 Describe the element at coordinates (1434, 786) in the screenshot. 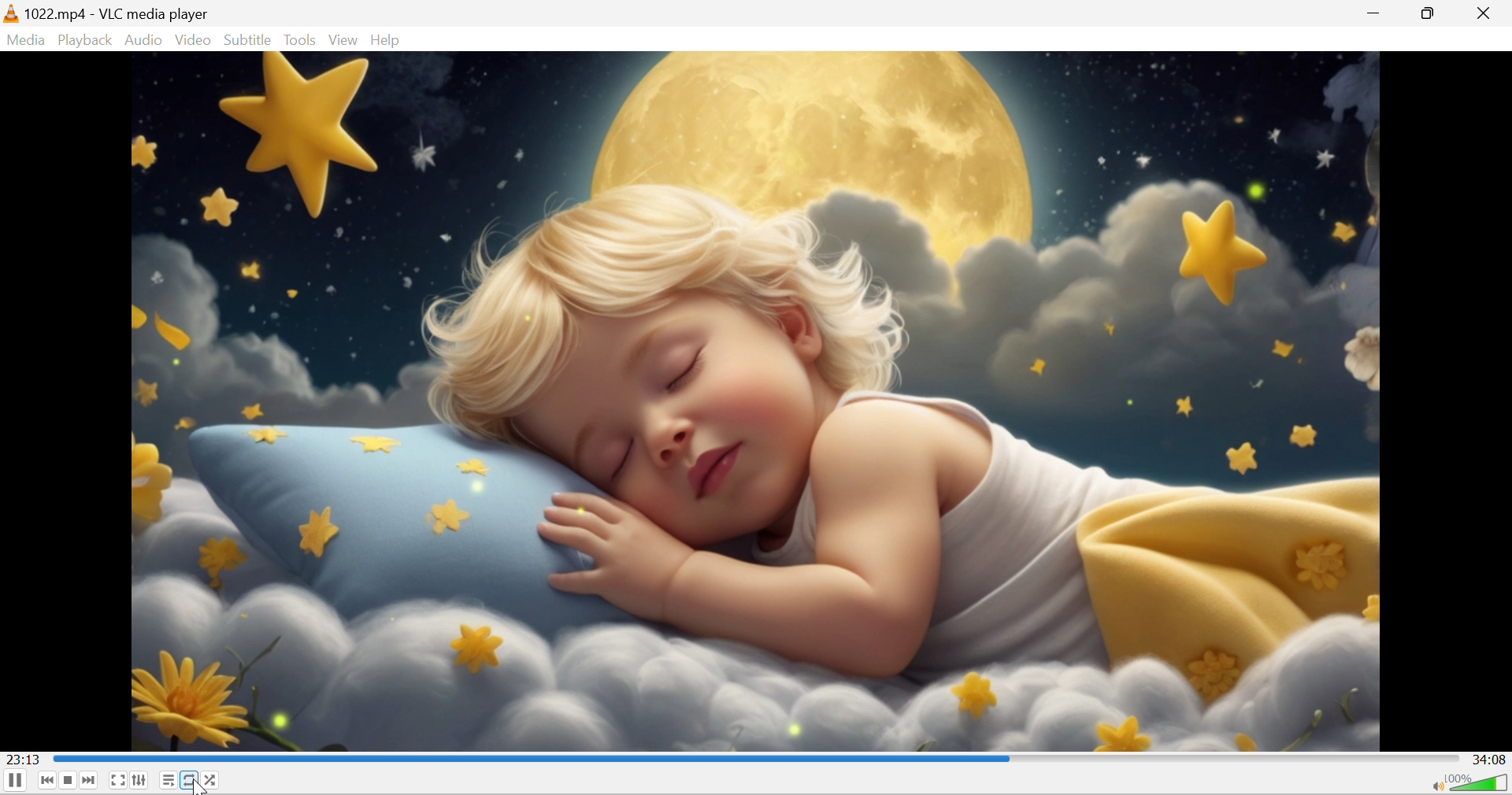

I see `Mute` at that location.